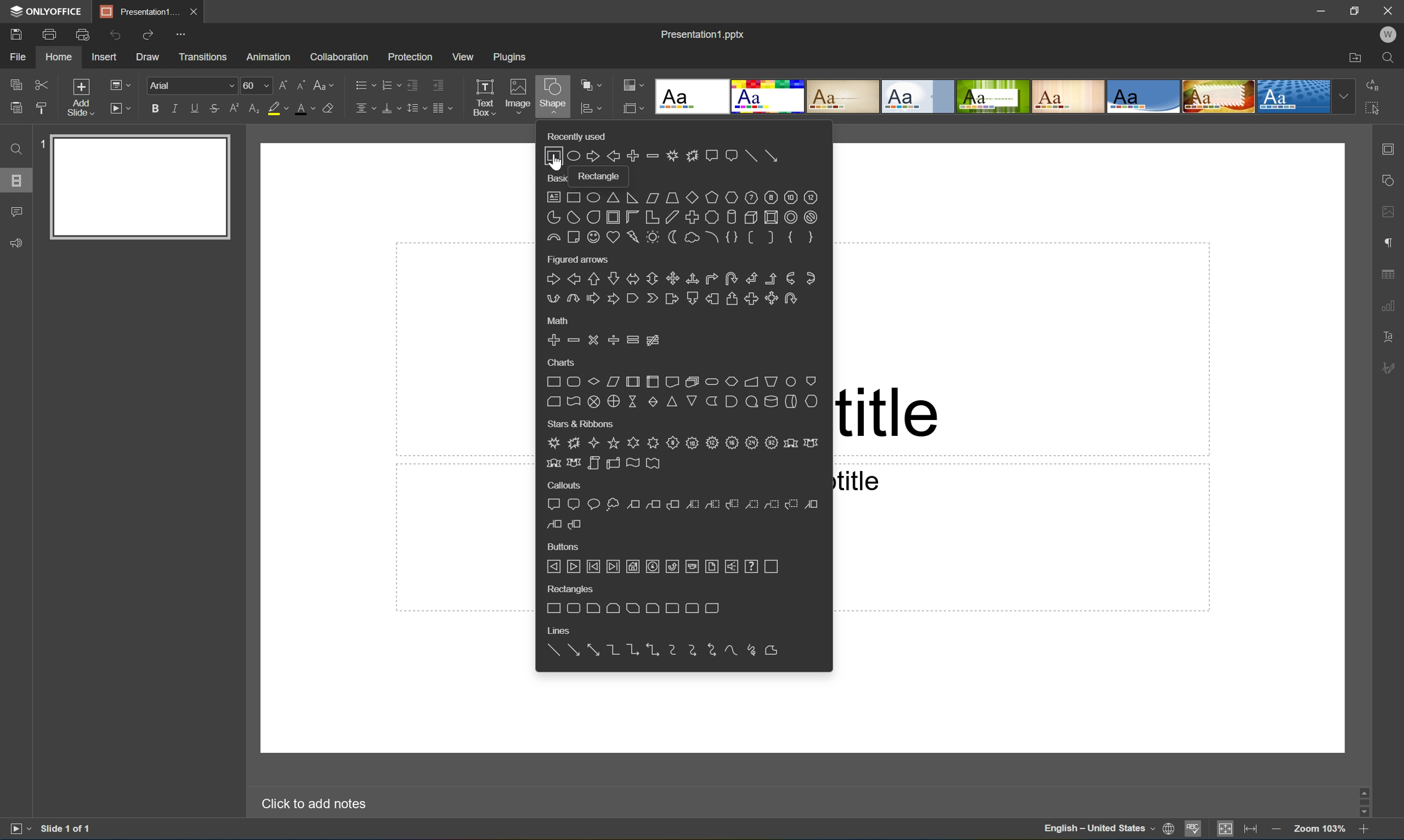  I want to click on Redo, so click(148, 33).